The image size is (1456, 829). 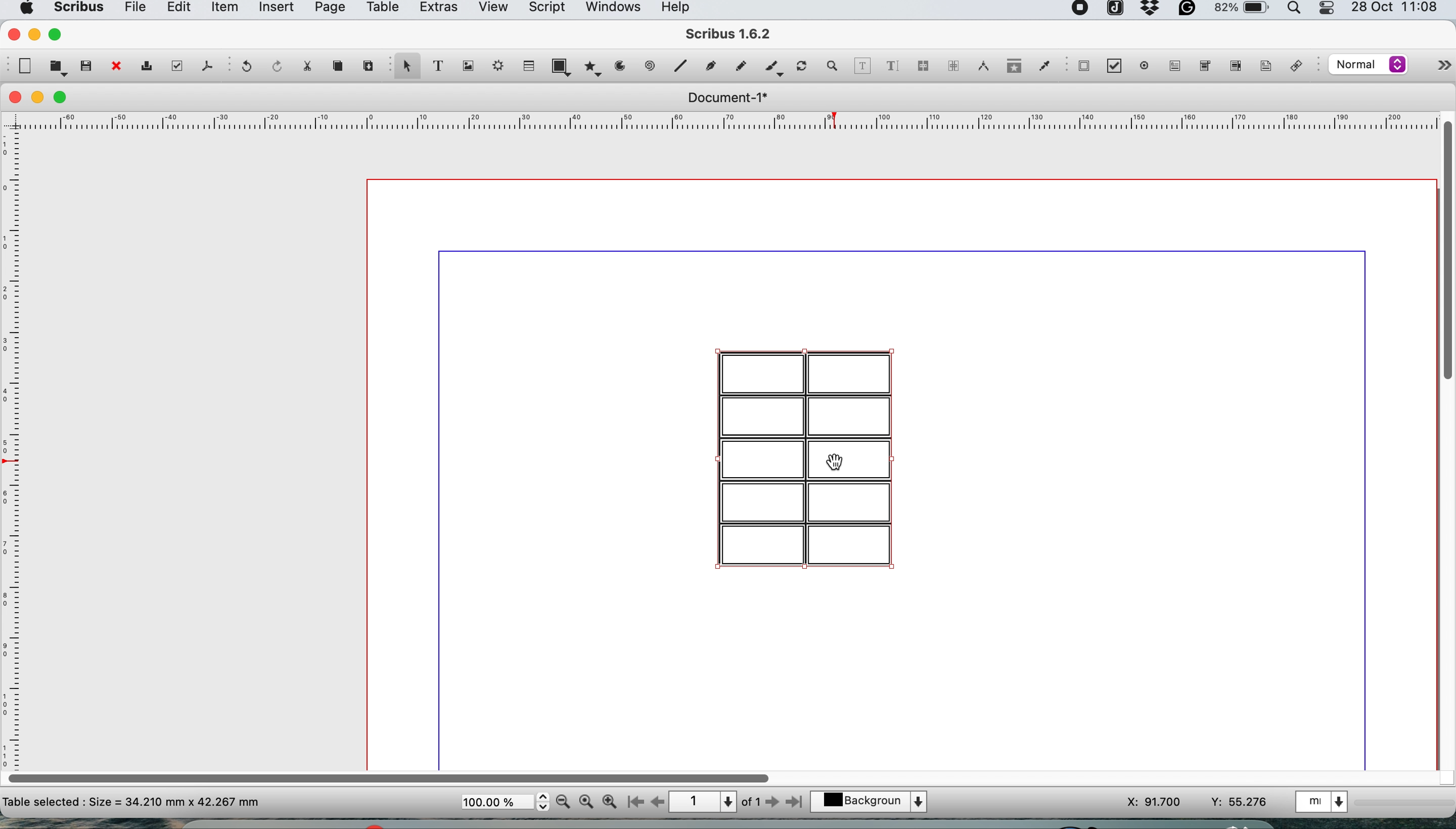 I want to click on windows, so click(x=612, y=10).